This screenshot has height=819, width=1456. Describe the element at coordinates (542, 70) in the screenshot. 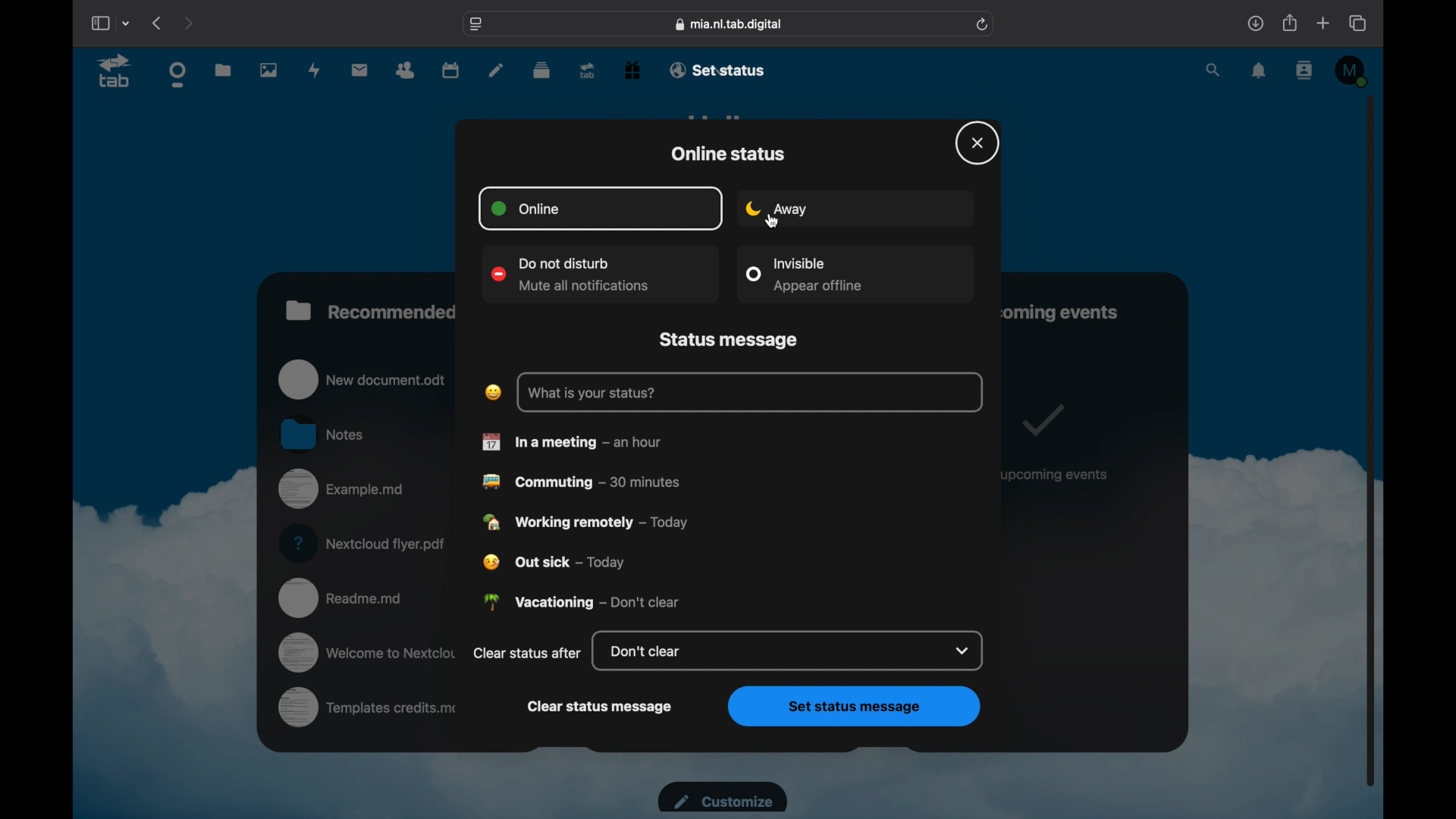

I see `deck` at that location.